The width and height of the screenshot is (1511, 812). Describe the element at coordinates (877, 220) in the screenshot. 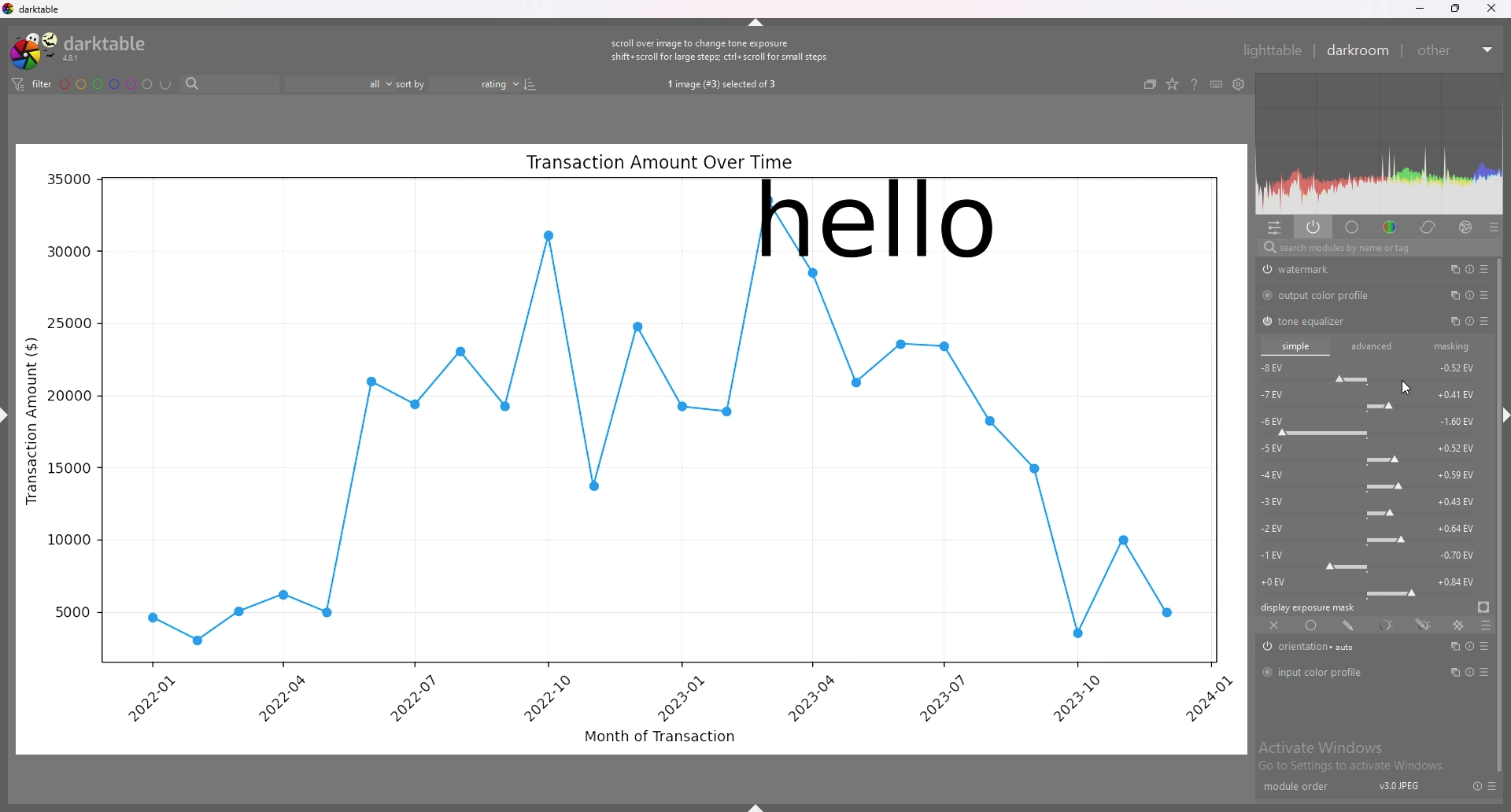

I see `hello` at that location.